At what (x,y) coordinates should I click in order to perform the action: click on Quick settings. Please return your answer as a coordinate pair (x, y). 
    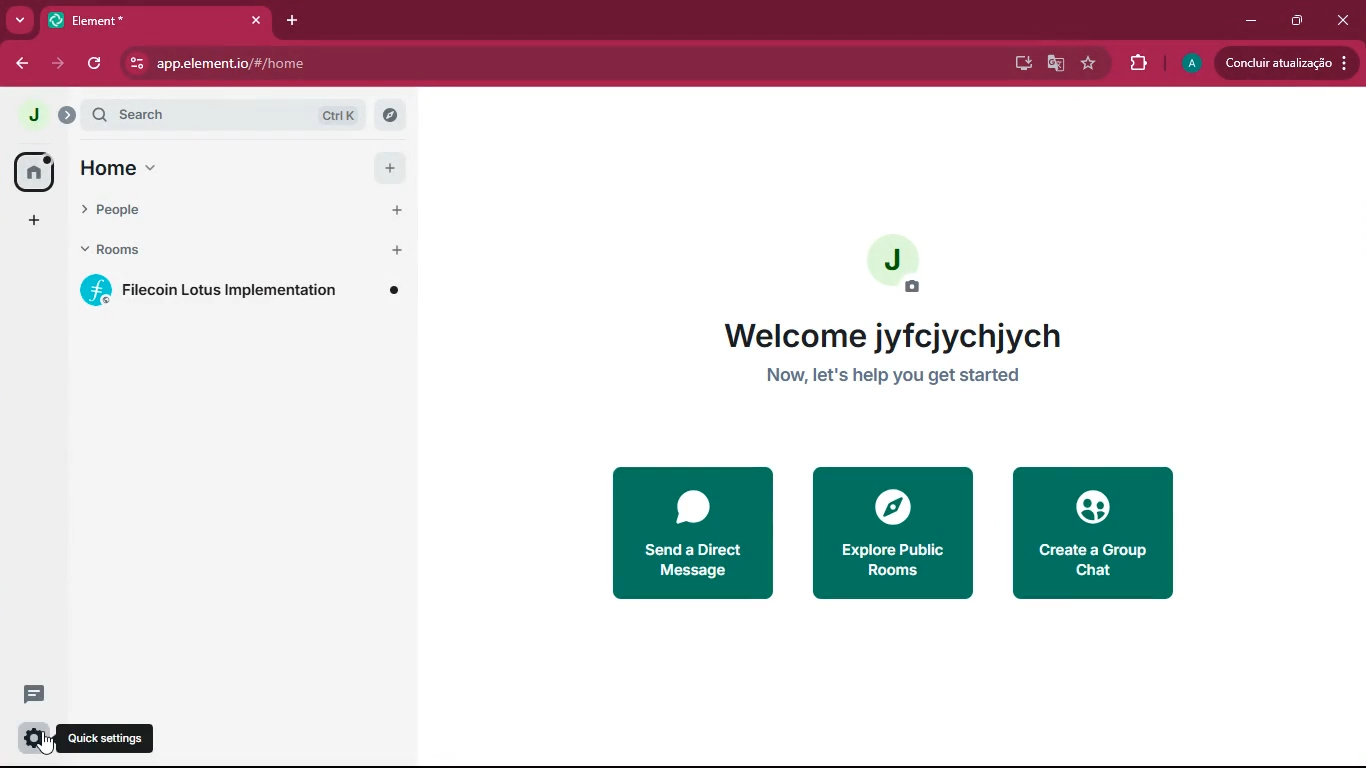
    Looking at the image, I should click on (106, 740).